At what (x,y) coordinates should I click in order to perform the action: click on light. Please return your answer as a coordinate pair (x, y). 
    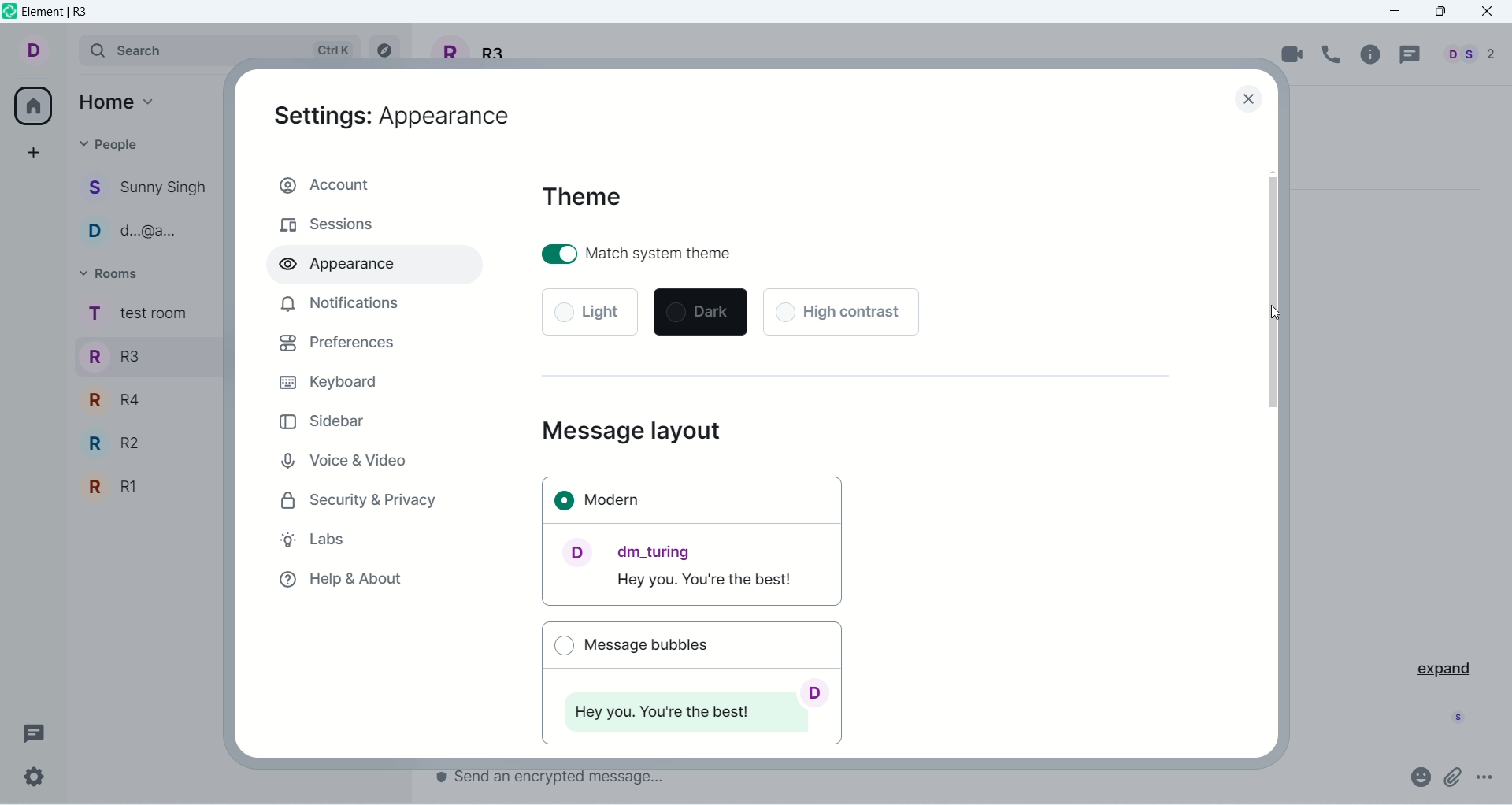
    Looking at the image, I should click on (588, 313).